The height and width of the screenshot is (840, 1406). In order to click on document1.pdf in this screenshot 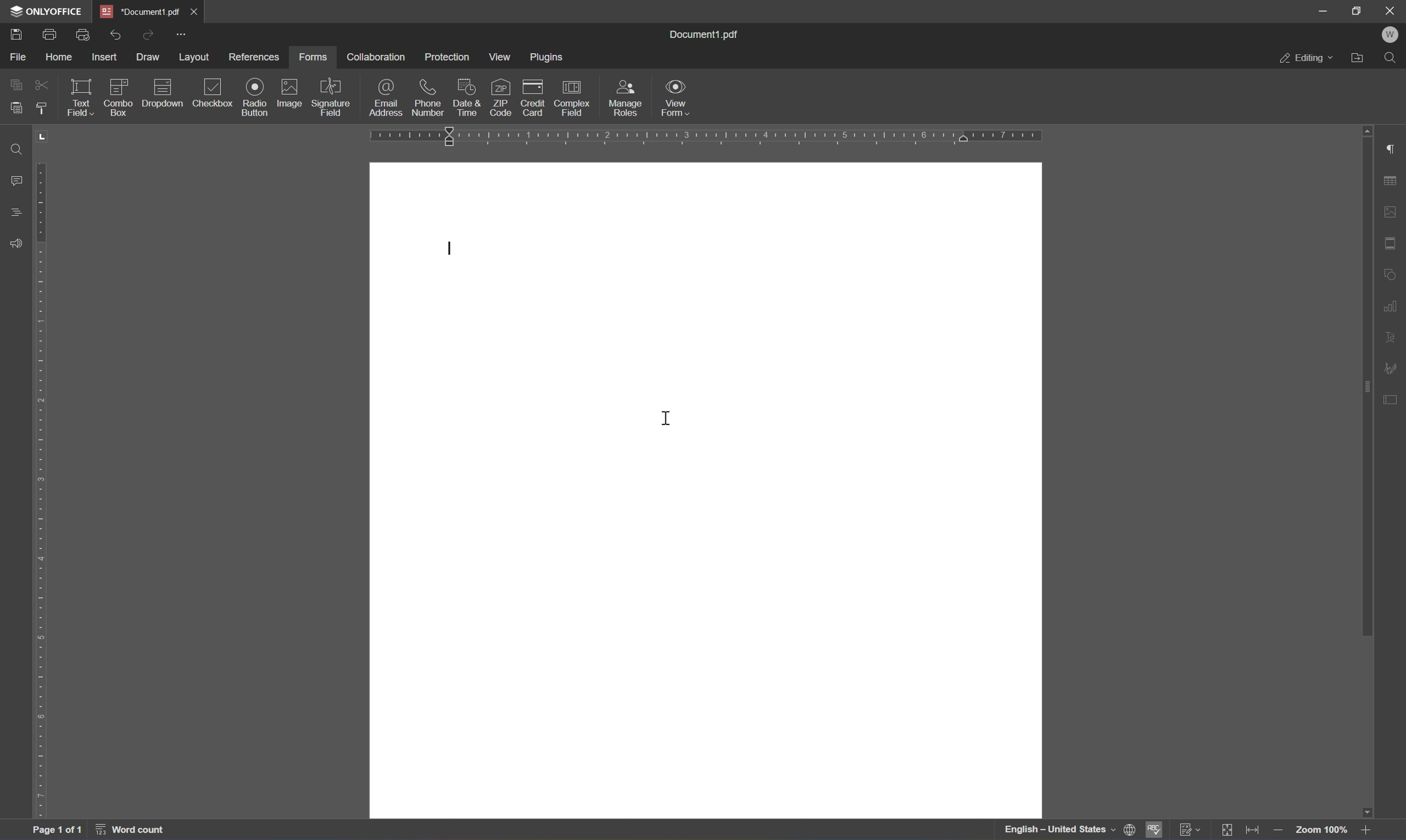, I will do `click(704, 34)`.